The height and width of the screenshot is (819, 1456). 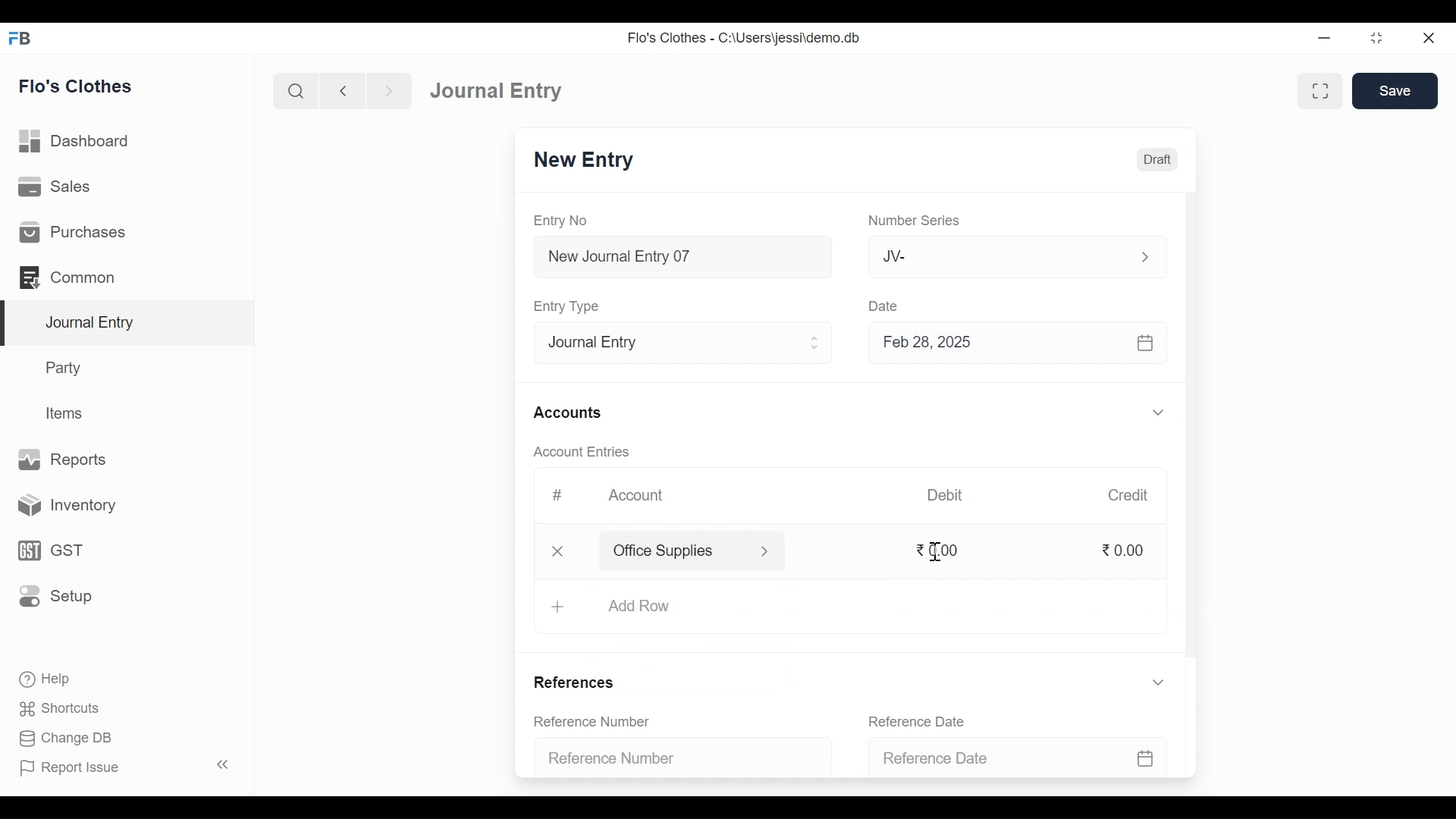 What do you see at coordinates (1126, 551) in the screenshot?
I see `0.00` at bounding box center [1126, 551].